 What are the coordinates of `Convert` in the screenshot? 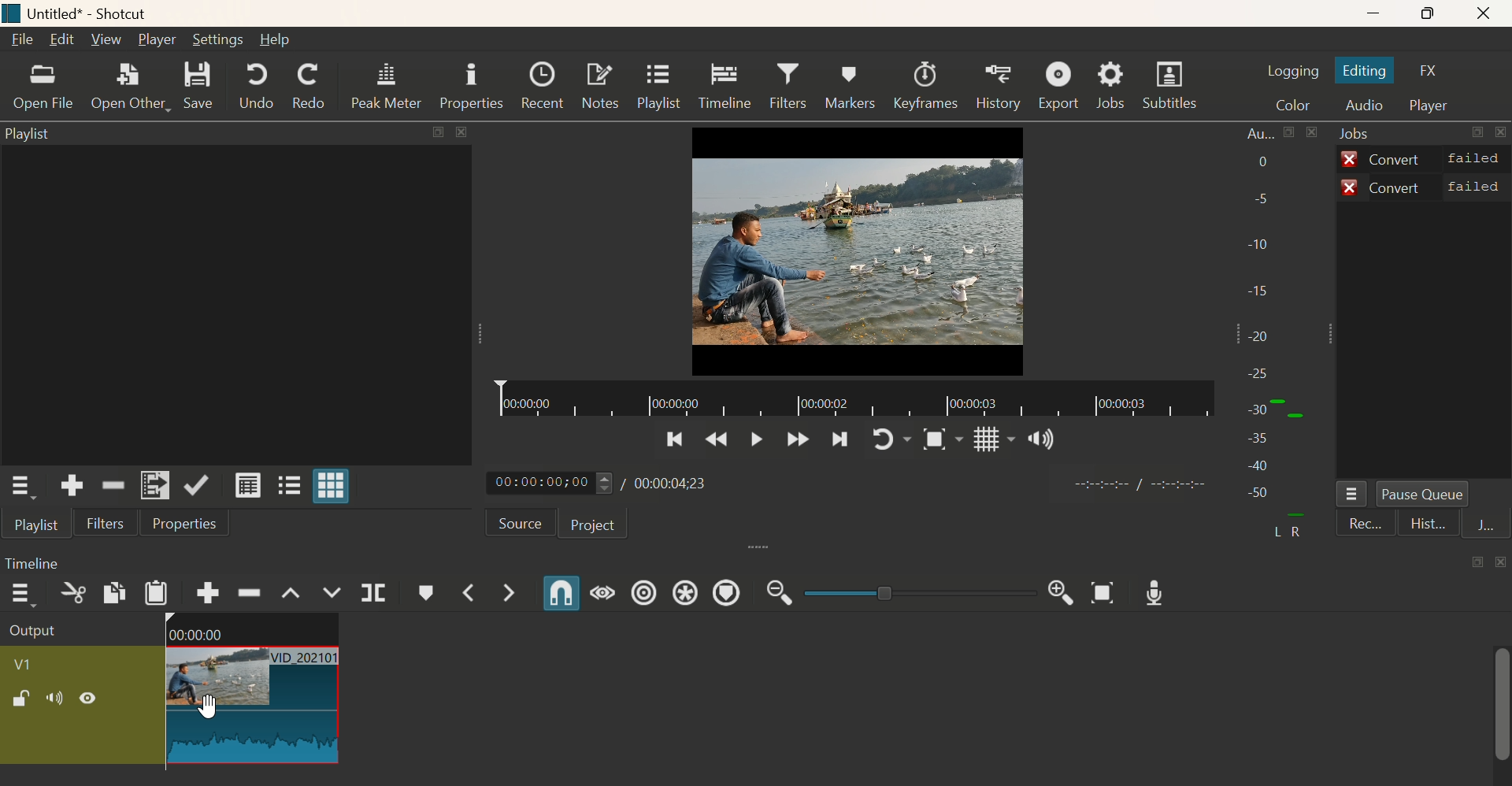 It's located at (1423, 158).